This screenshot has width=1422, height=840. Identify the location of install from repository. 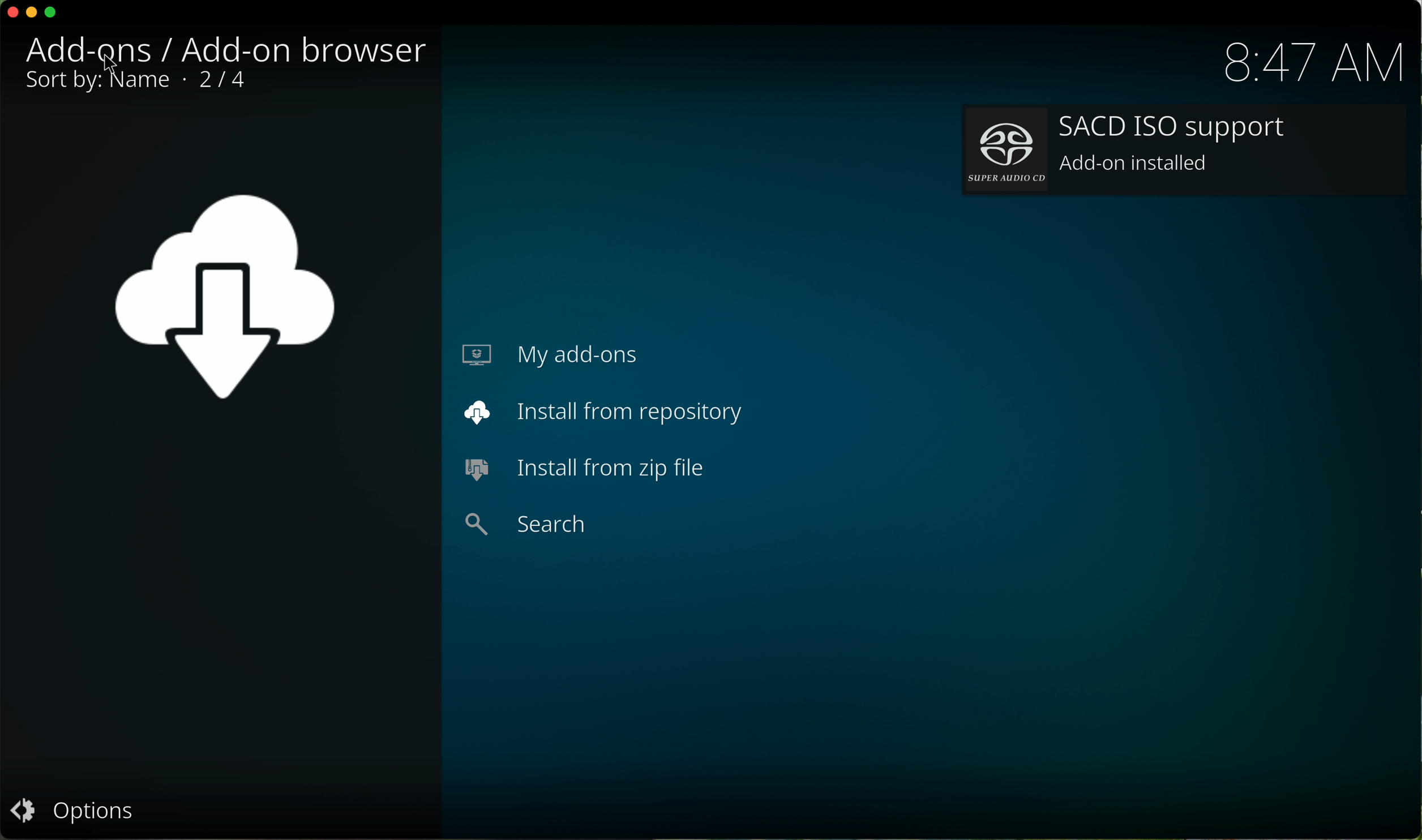
(609, 414).